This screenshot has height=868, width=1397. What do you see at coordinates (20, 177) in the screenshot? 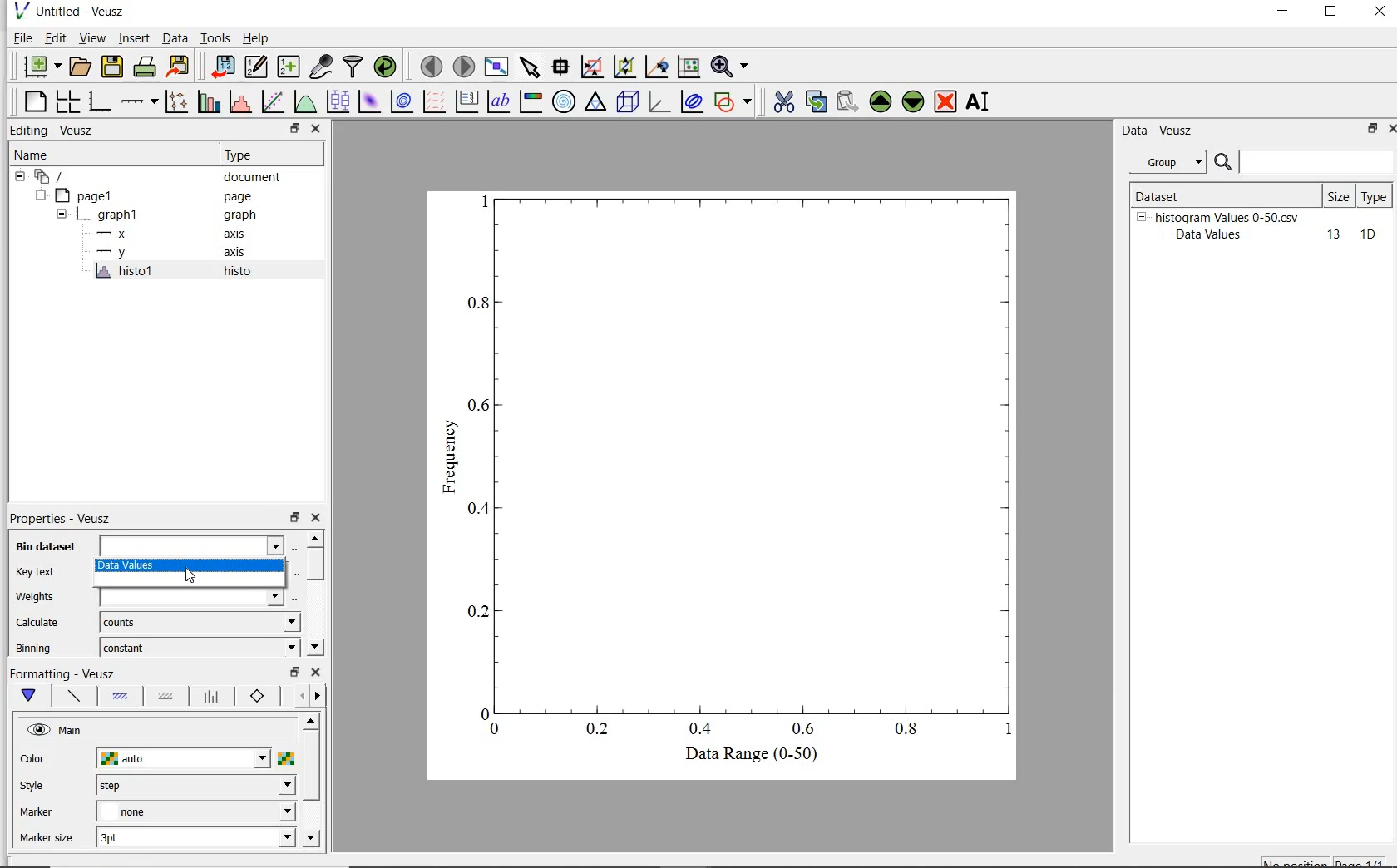
I see `hide` at bounding box center [20, 177].